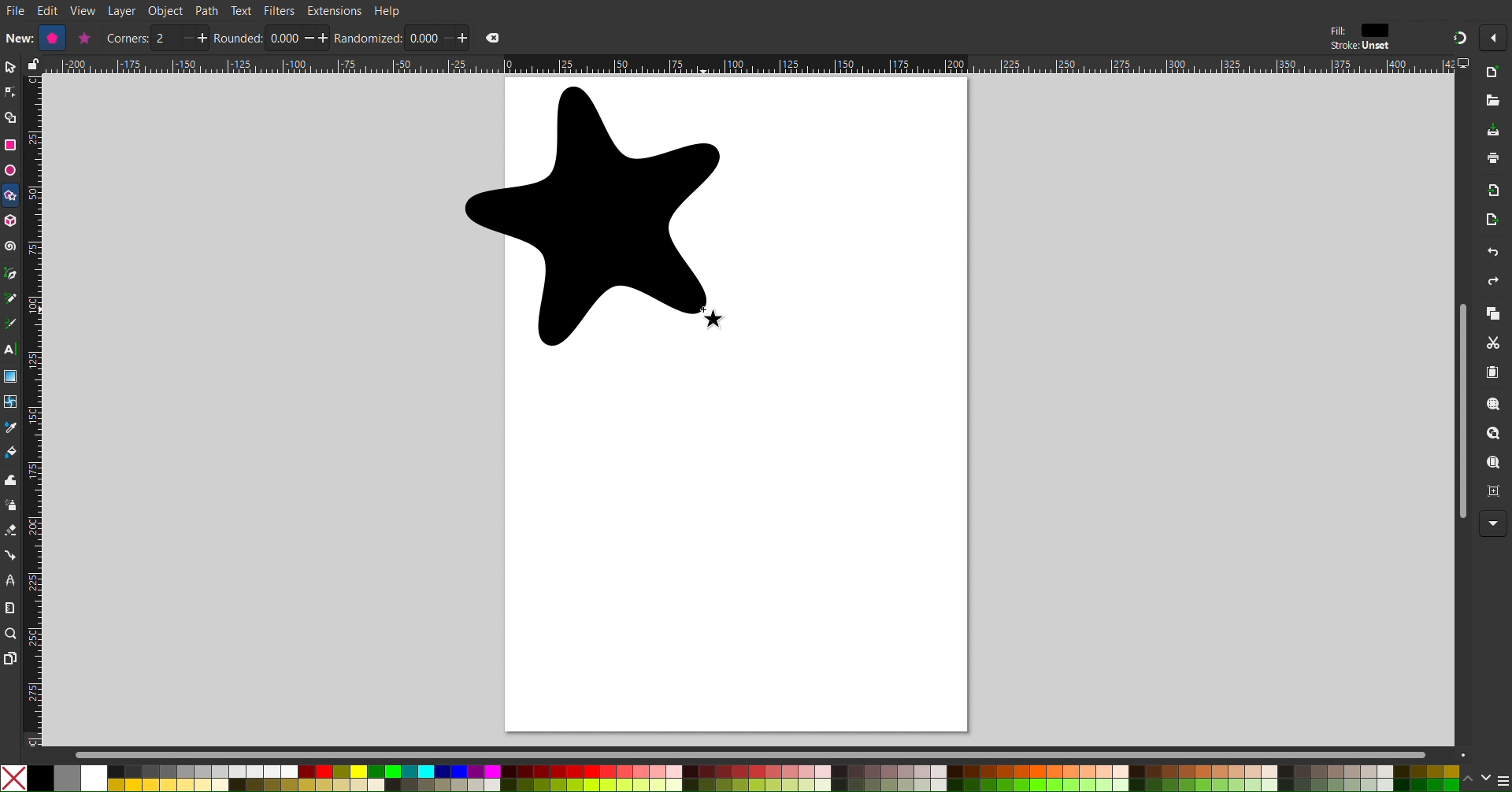 The height and width of the screenshot is (792, 1512). What do you see at coordinates (1503, 780) in the screenshot?
I see `menu` at bounding box center [1503, 780].